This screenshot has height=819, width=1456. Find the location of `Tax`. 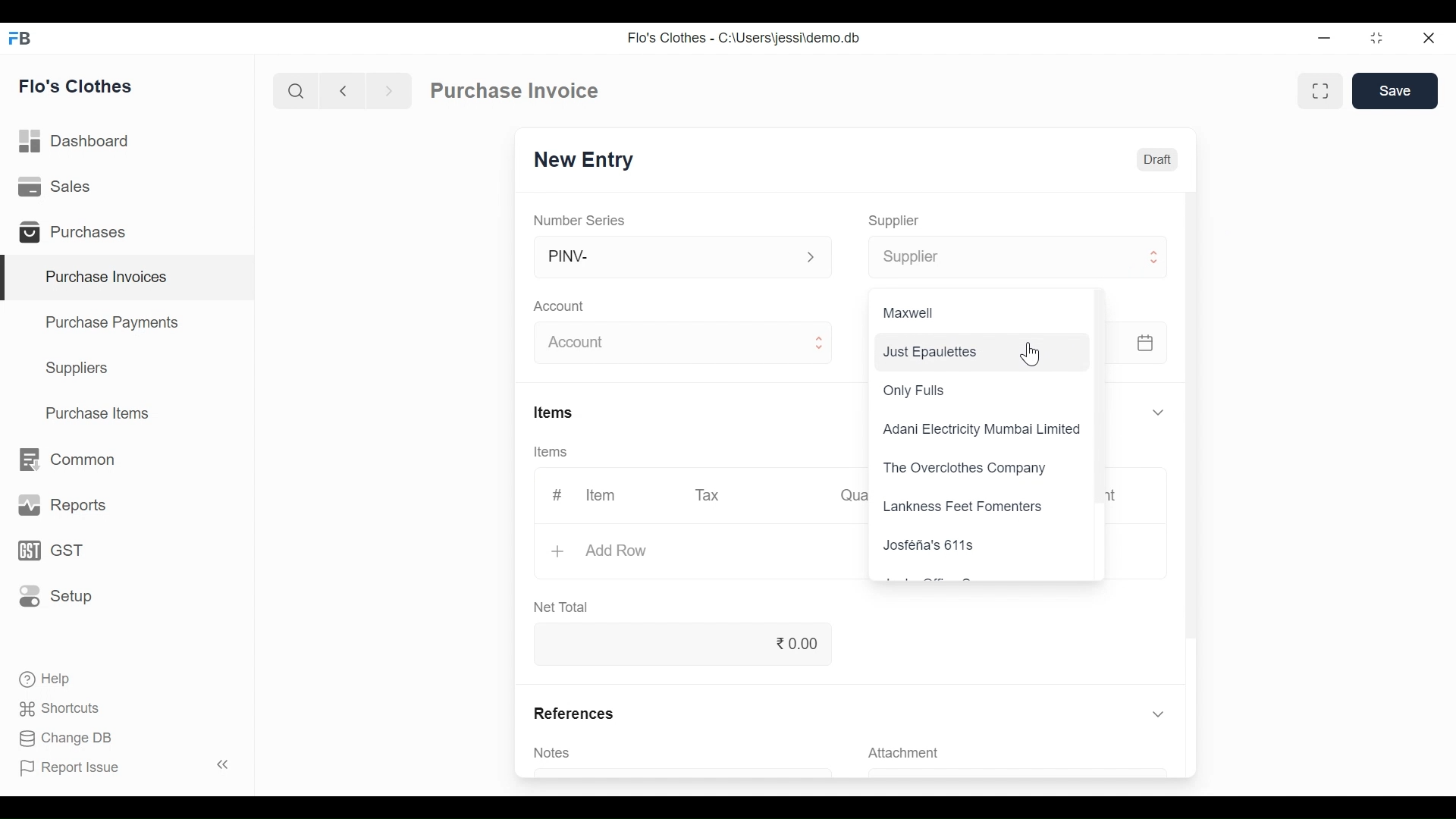

Tax is located at coordinates (712, 496).